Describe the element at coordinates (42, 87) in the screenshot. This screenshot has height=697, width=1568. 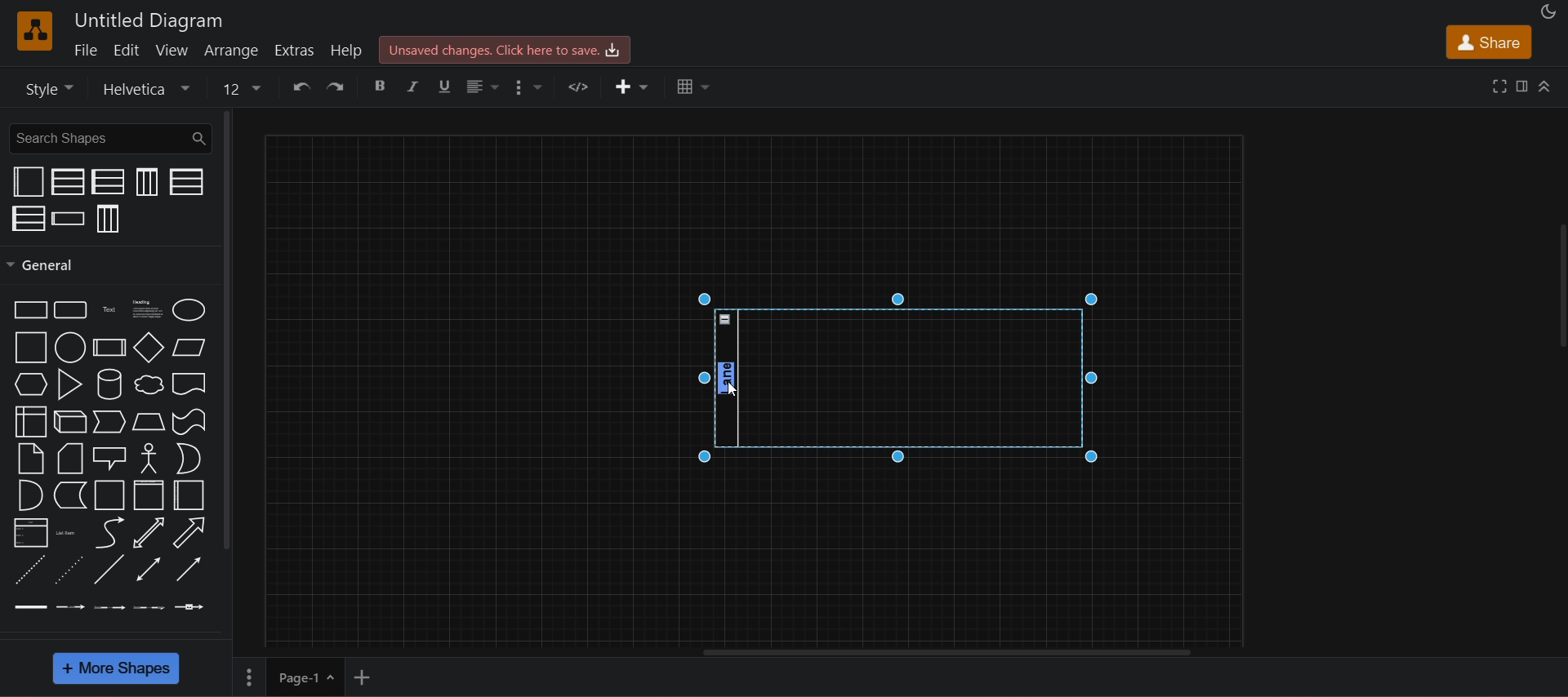
I see `style` at that location.